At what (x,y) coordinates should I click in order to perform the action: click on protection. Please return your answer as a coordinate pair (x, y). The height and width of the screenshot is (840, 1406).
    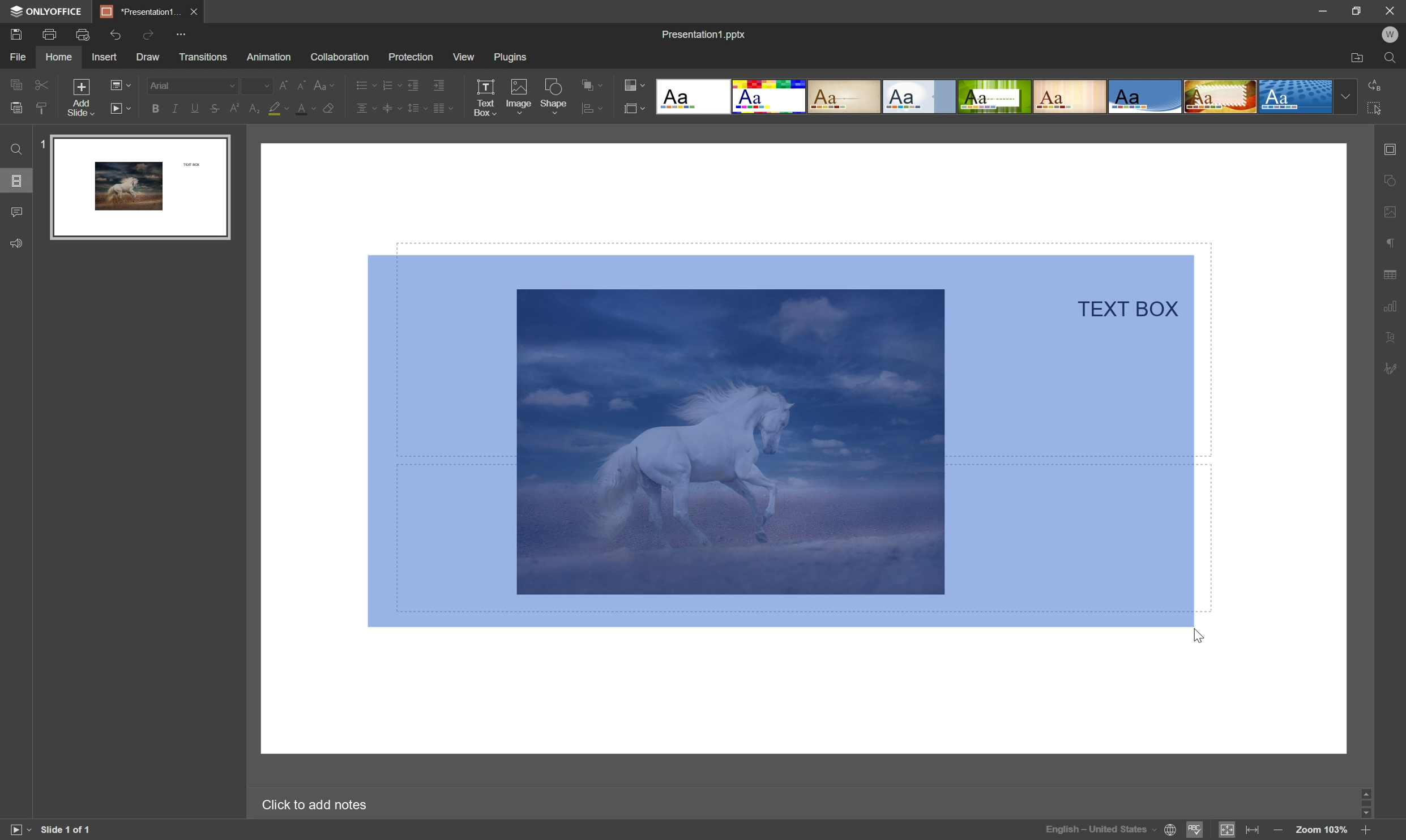
    Looking at the image, I should click on (409, 57).